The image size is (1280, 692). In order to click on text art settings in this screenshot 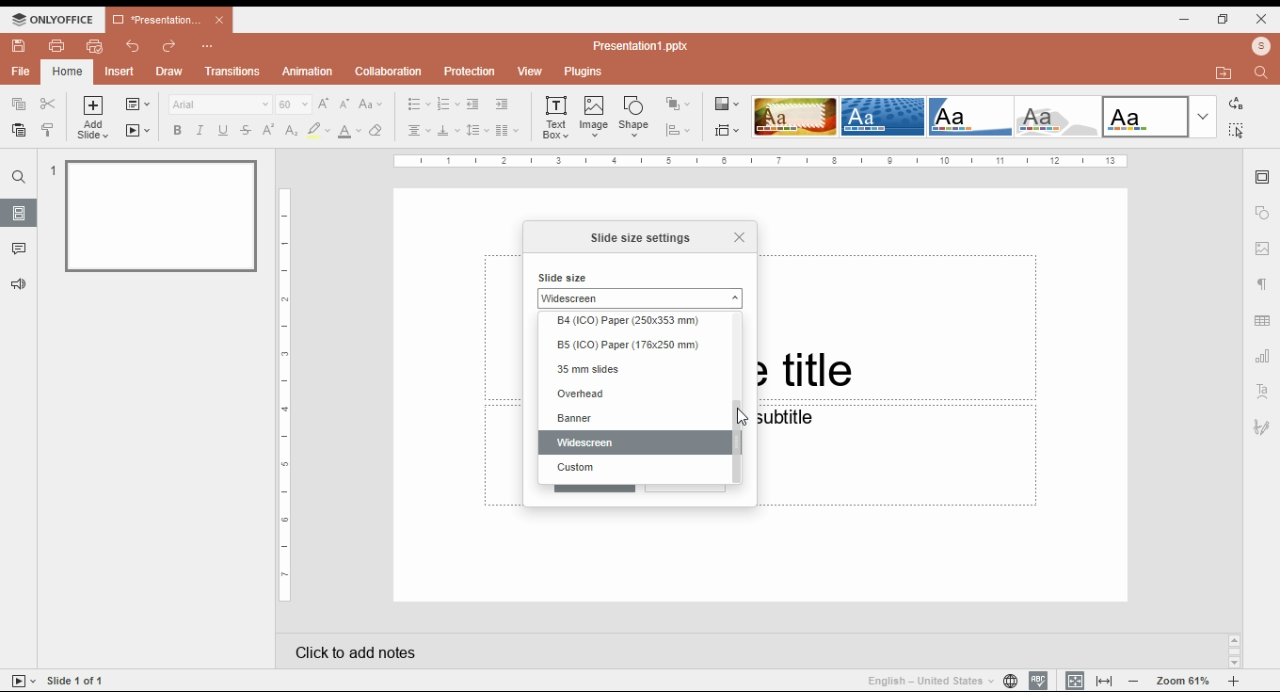, I will do `click(1263, 390)`.